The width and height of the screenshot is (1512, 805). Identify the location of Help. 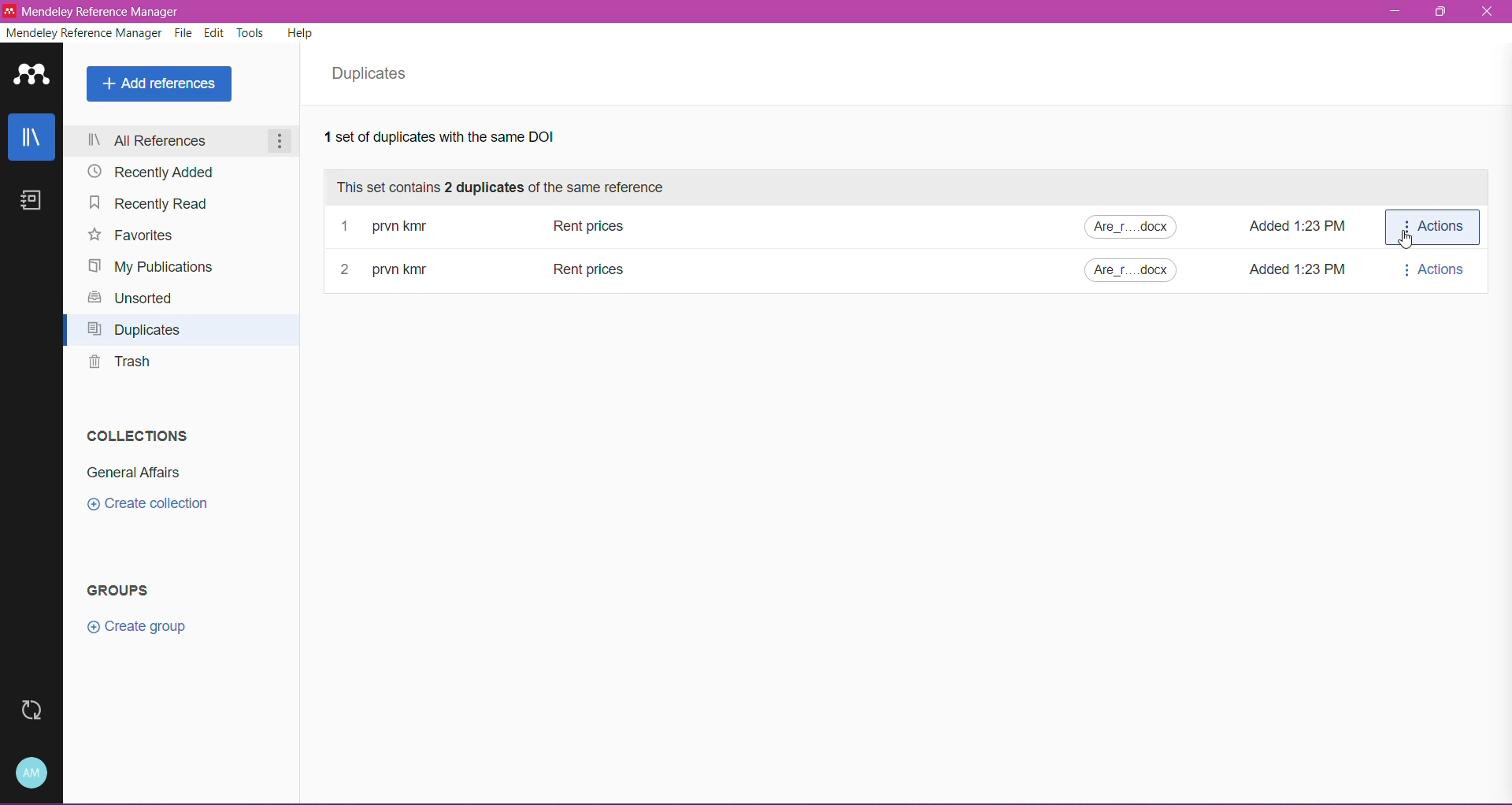
(302, 35).